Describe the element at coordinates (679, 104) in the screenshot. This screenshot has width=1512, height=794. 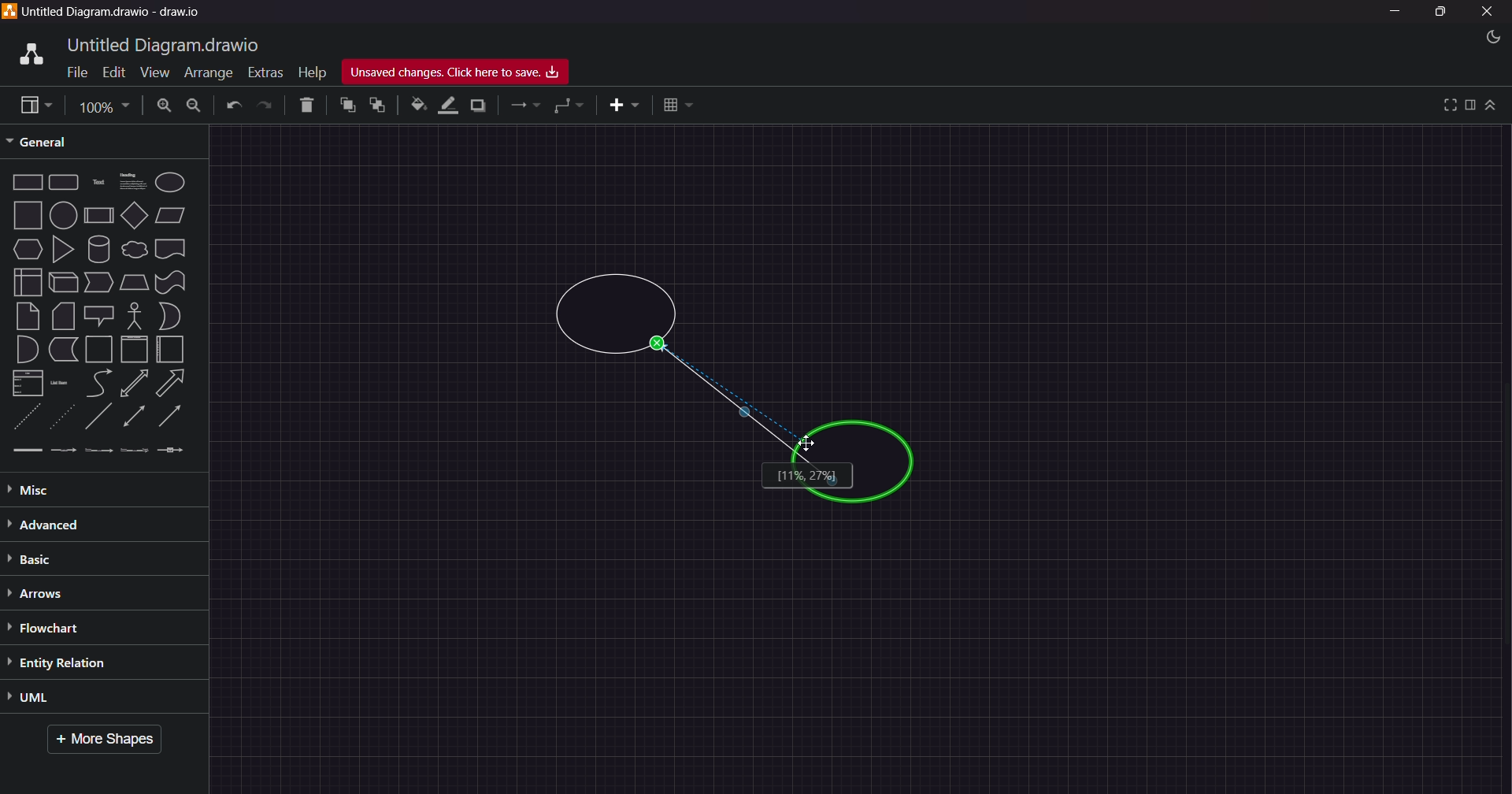
I see `table` at that location.